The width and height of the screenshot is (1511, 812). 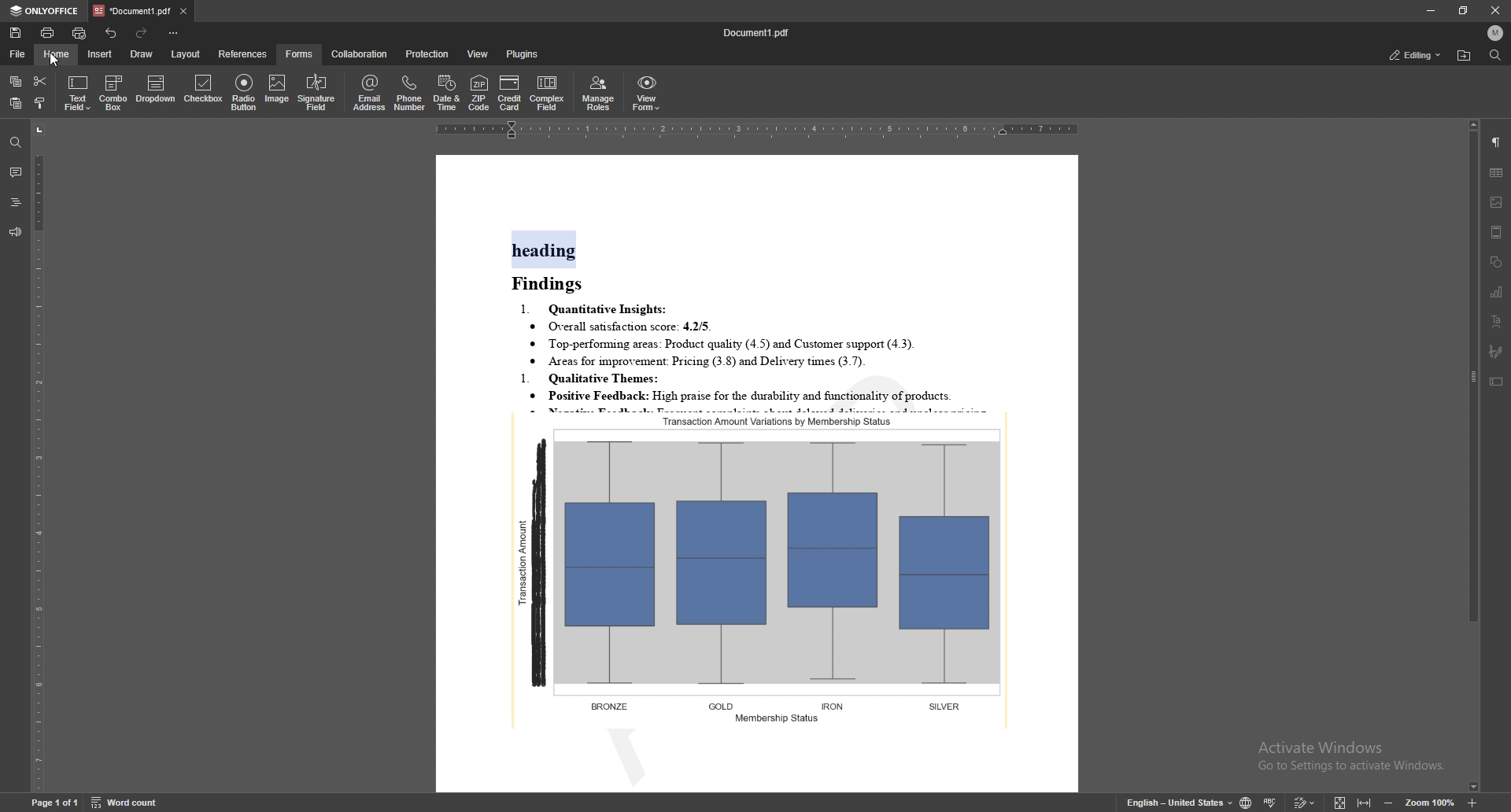 What do you see at coordinates (111, 34) in the screenshot?
I see `undo` at bounding box center [111, 34].